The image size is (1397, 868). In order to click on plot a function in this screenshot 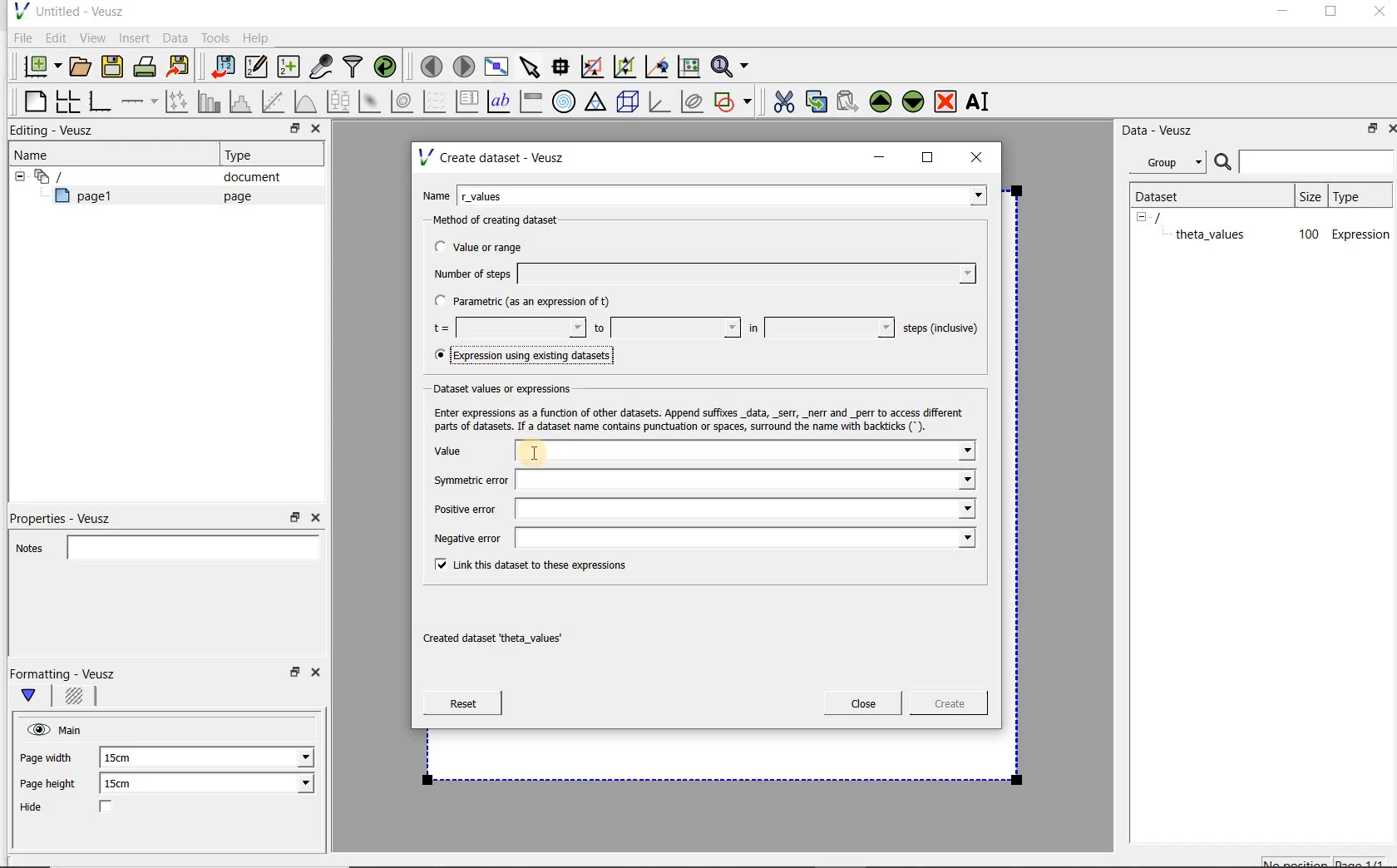, I will do `click(304, 101)`.